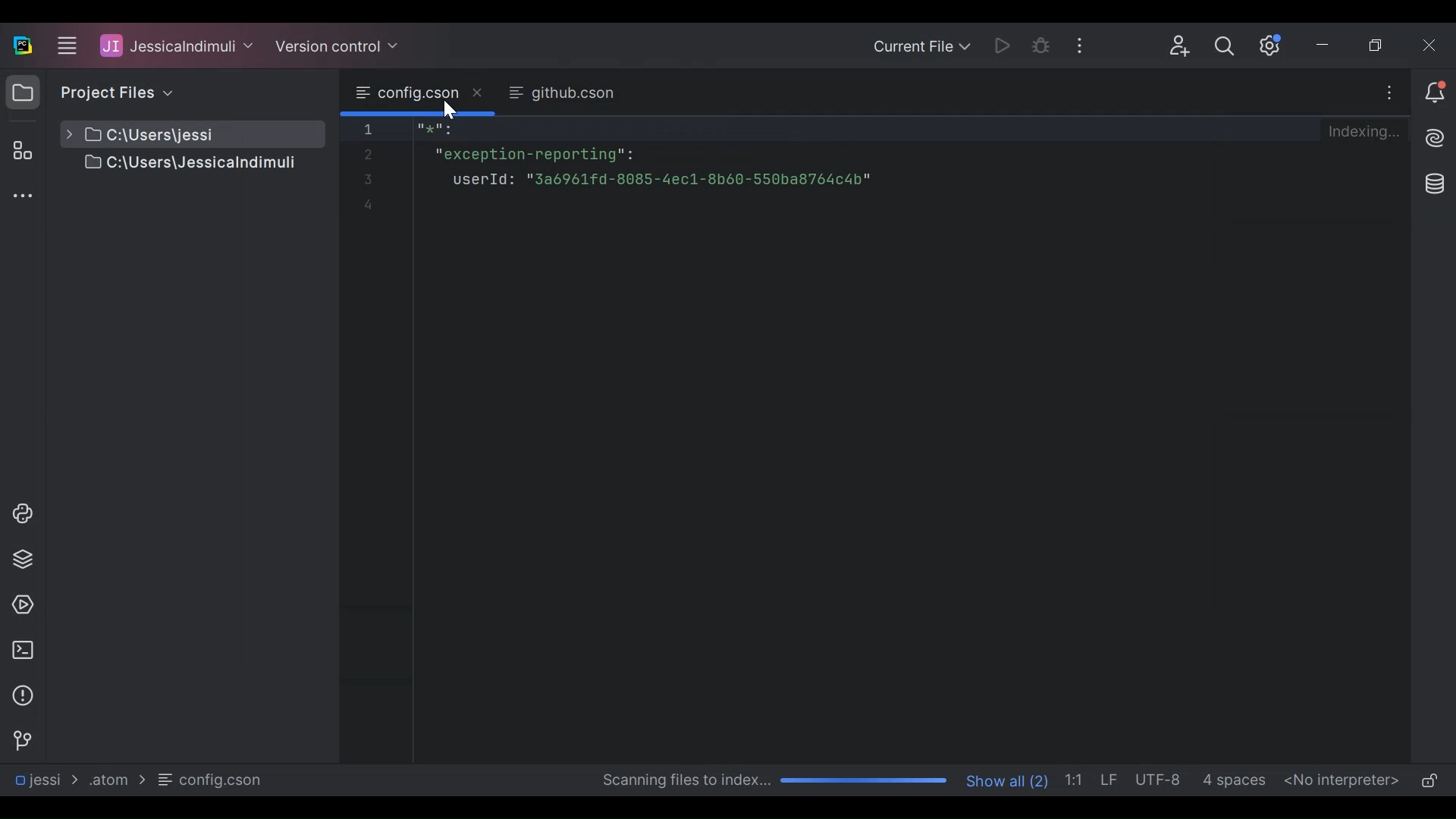  I want to click on Project File User, so click(177, 46).